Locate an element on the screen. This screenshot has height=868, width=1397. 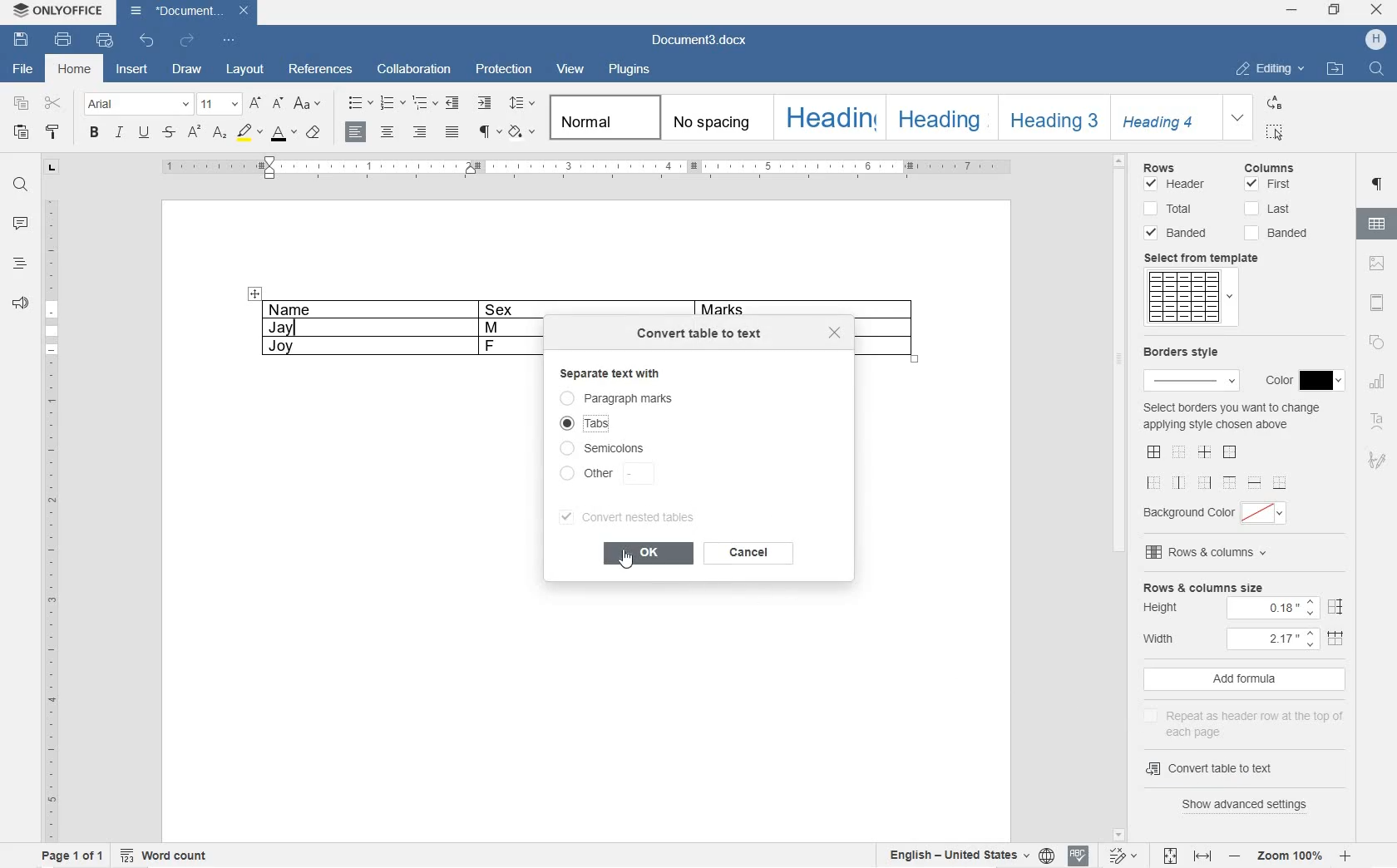
MINIMIZE is located at coordinates (1292, 8).